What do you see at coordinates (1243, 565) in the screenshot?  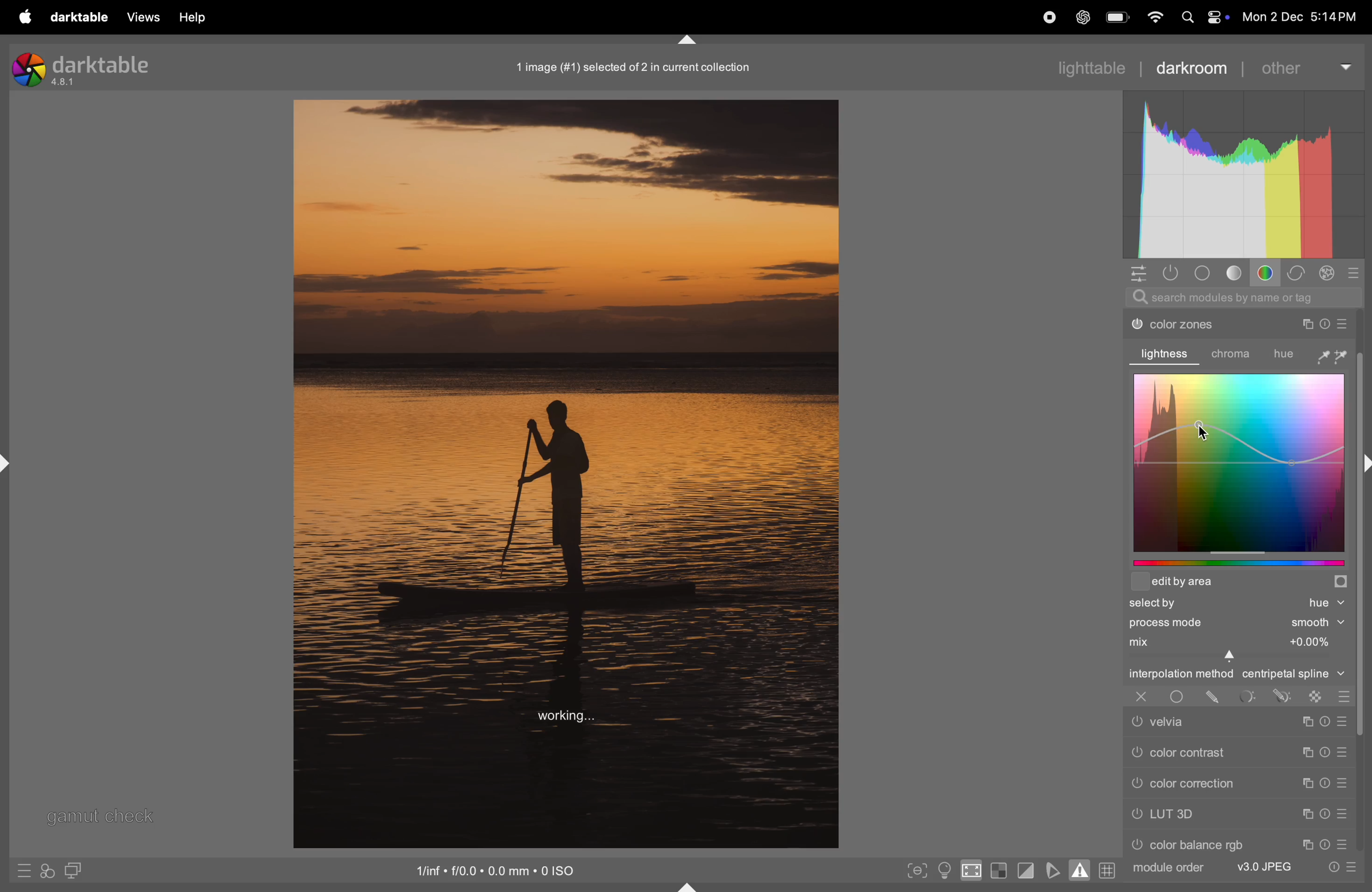 I see `edit by graphs` at bounding box center [1243, 565].